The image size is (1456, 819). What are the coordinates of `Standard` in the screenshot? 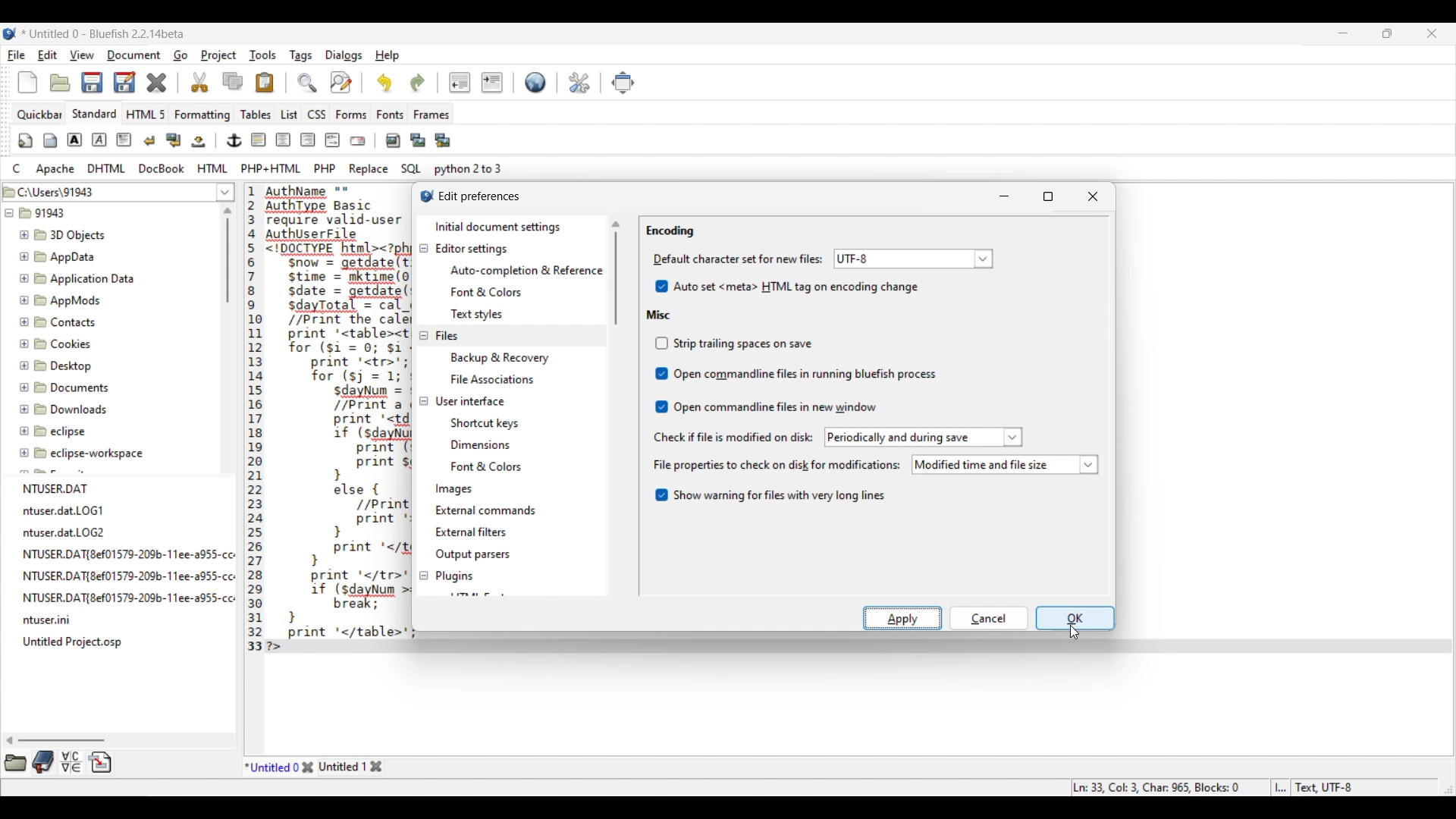 It's located at (95, 114).